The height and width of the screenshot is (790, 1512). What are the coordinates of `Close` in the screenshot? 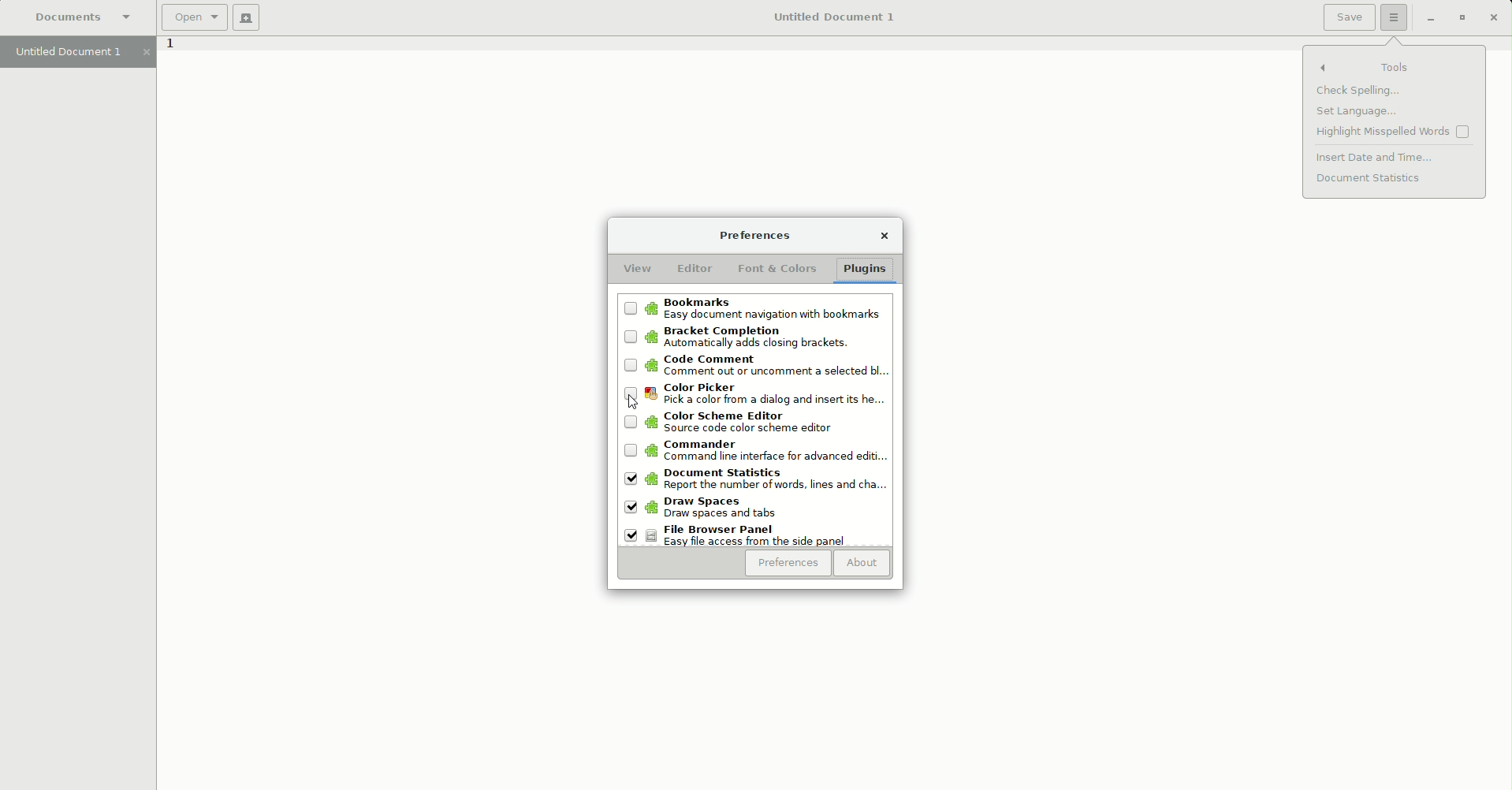 It's located at (1492, 17).